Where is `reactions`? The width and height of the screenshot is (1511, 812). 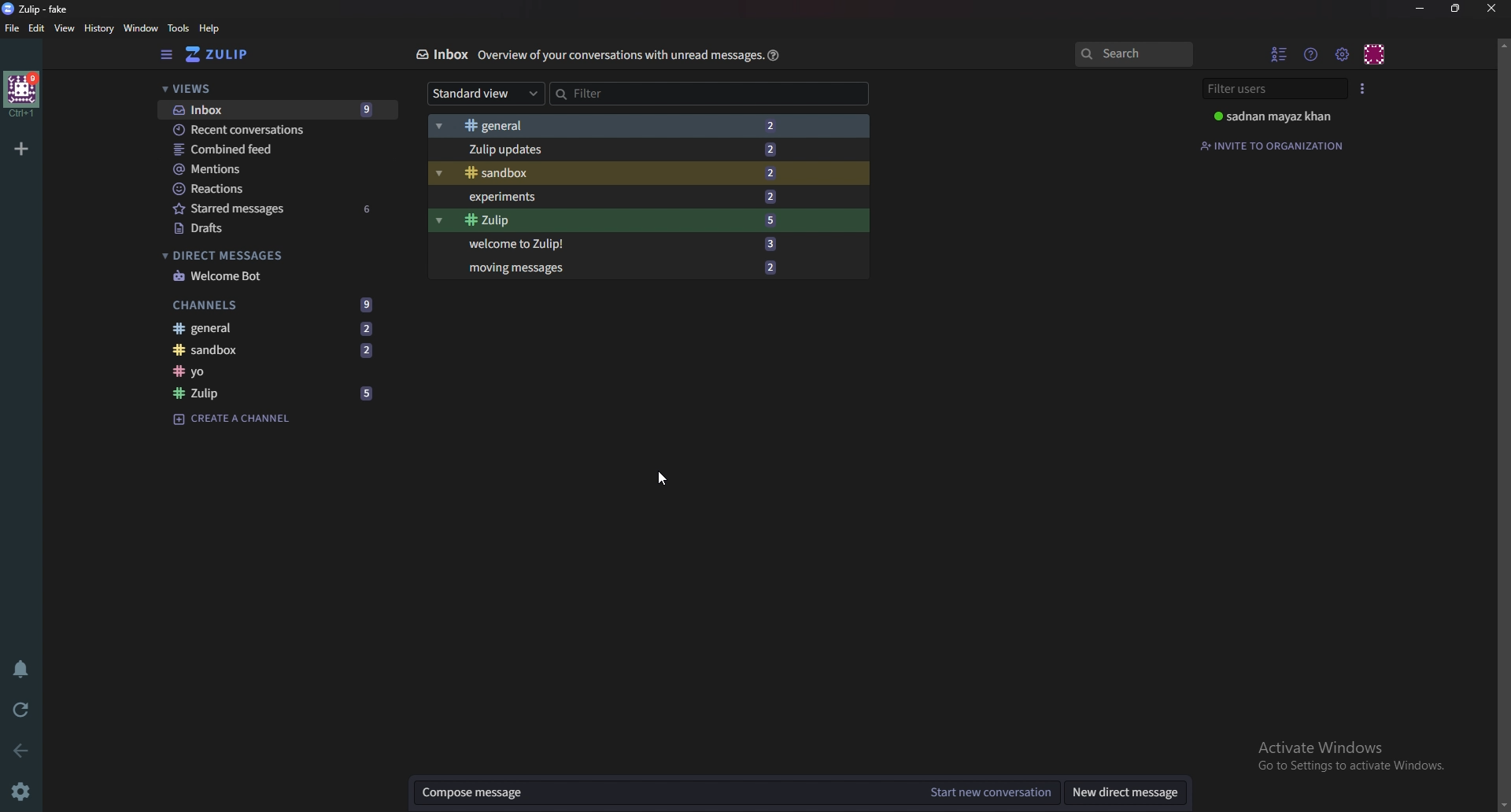 reactions is located at coordinates (268, 188).